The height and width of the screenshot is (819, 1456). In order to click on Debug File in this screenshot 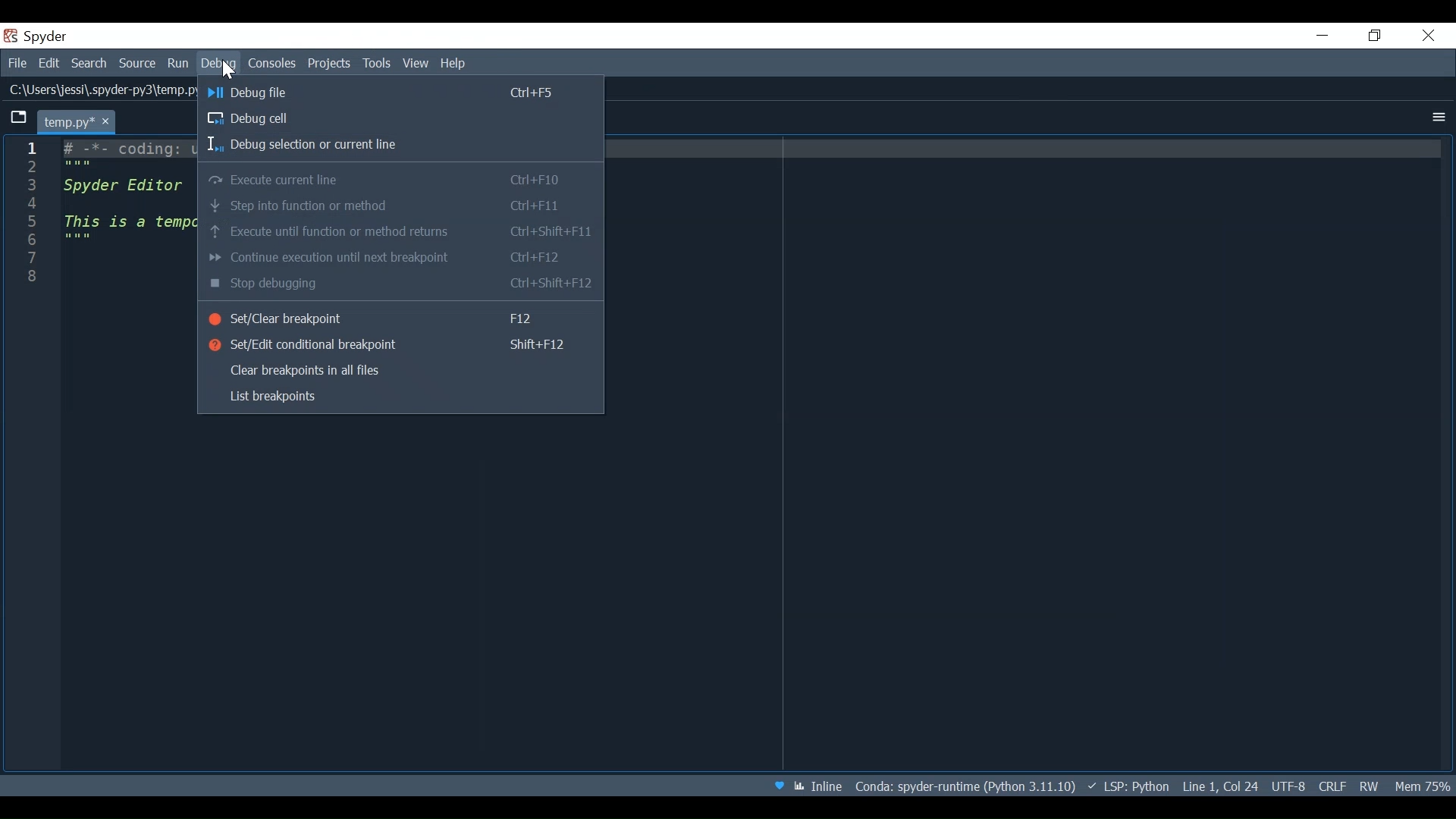, I will do `click(394, 93)`.